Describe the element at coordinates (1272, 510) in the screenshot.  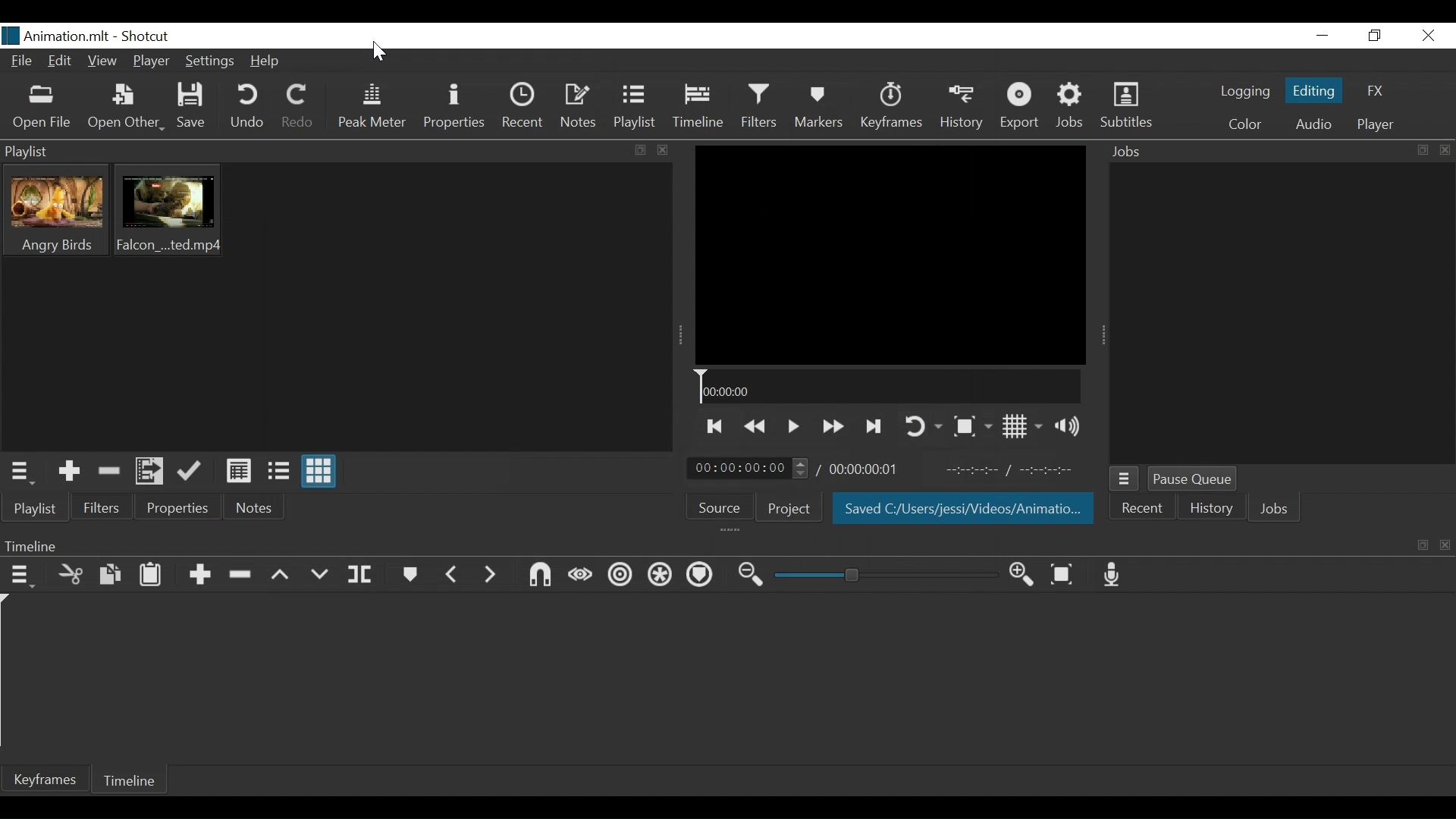
I see `Jobs` at that location.